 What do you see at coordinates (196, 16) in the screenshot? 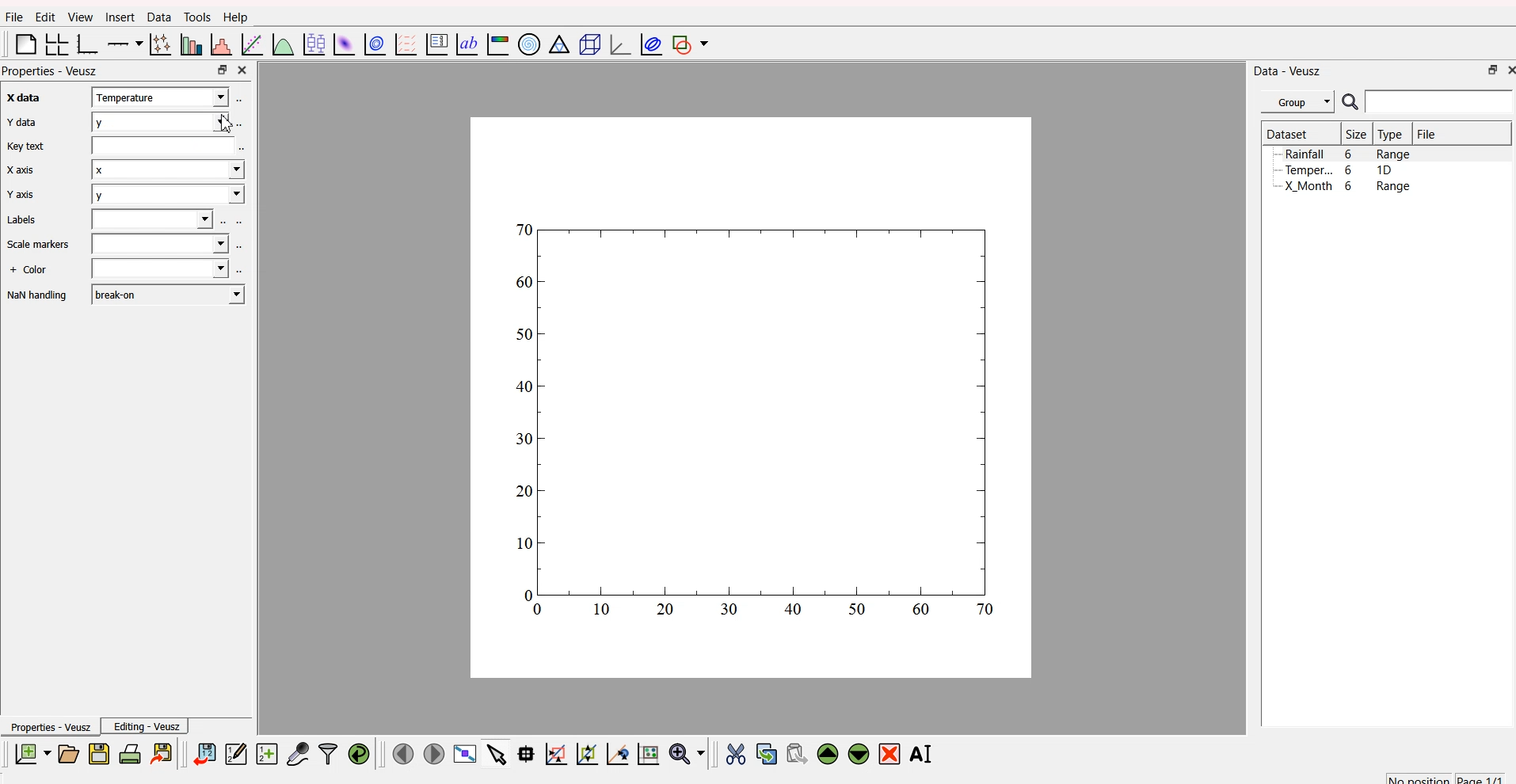
I see `Tools` at bounding box center [196, 16].